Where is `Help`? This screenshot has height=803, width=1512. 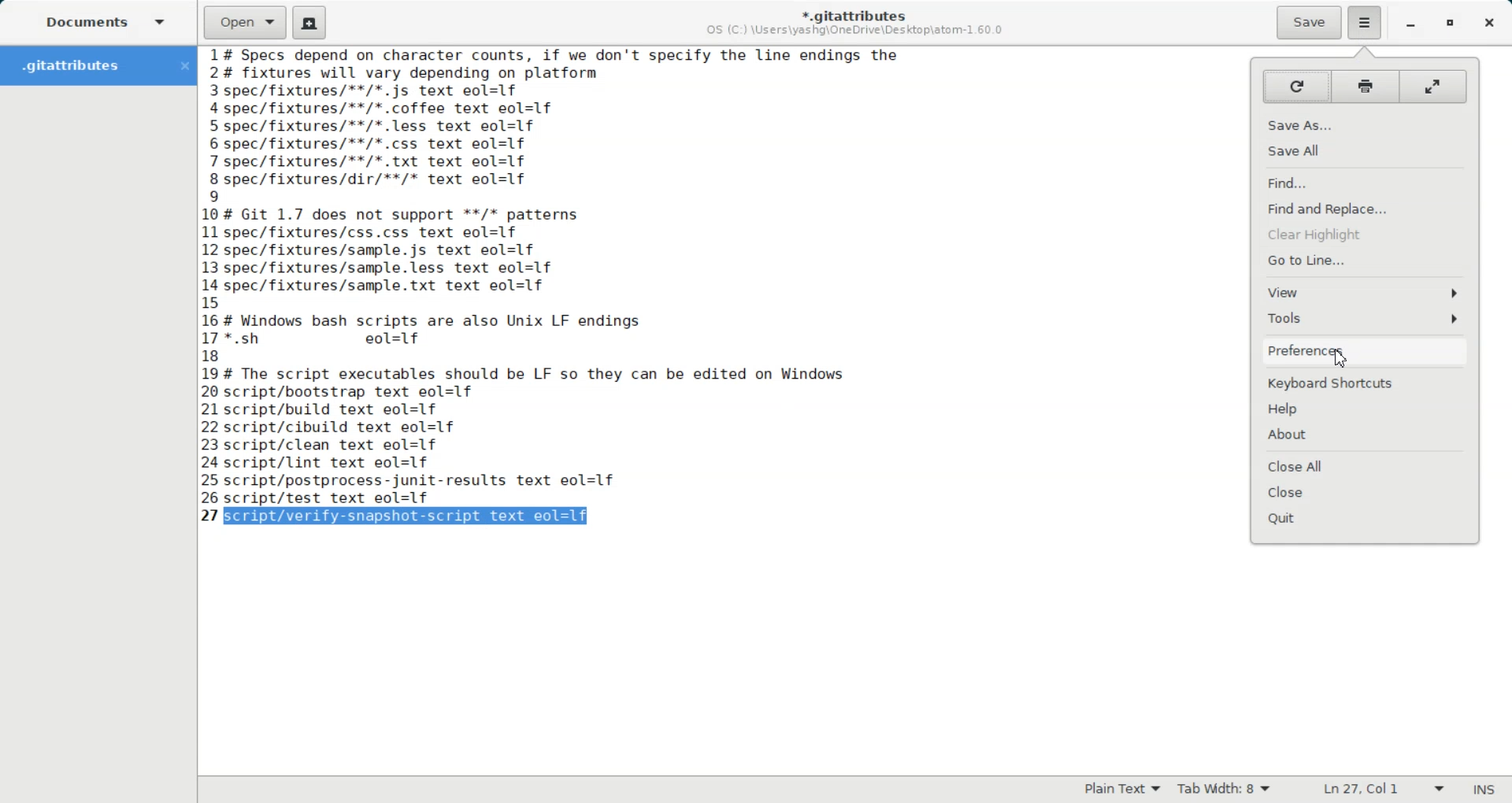 Help is located at coordinates (1367, 409).